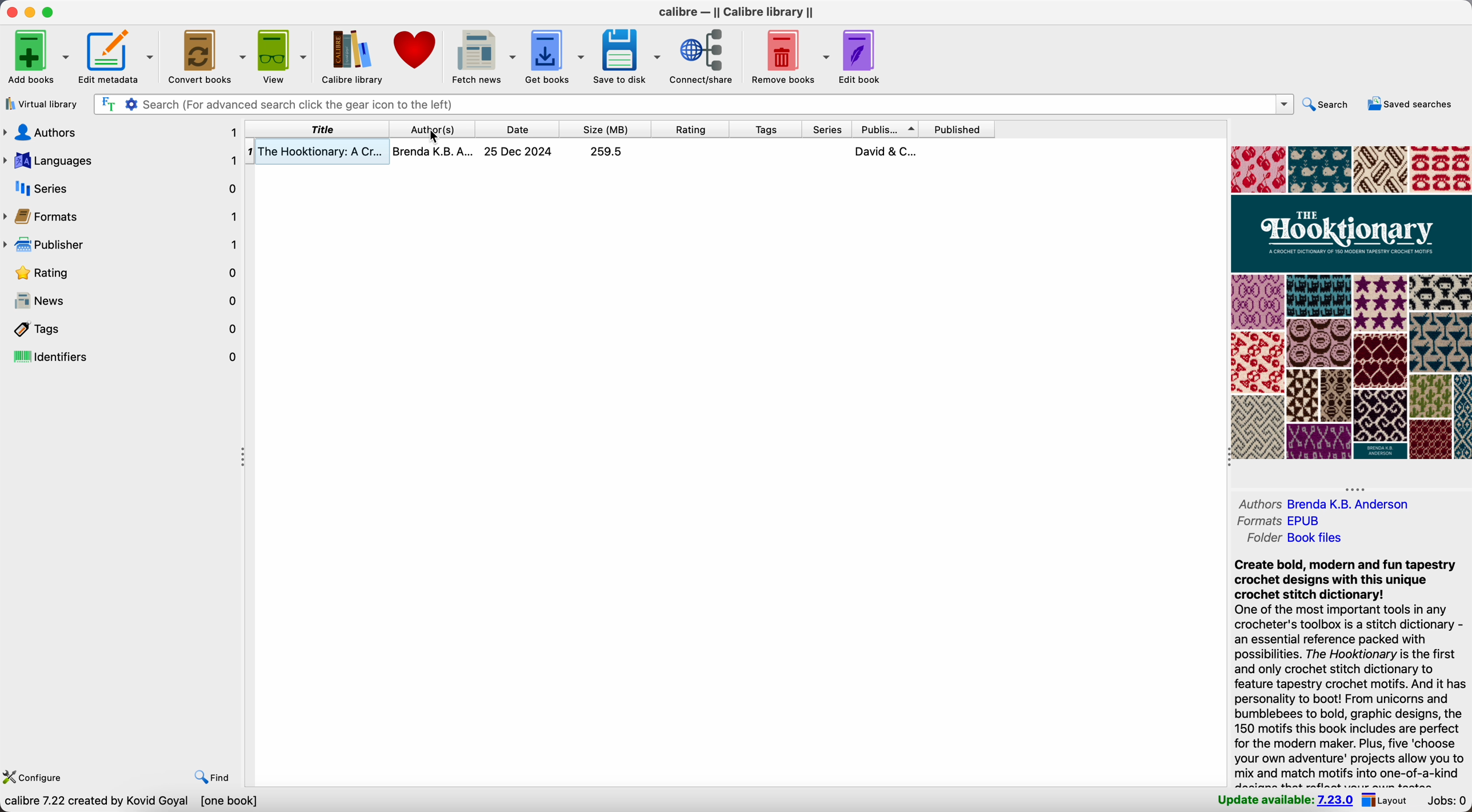  Describe the element at coordinates (606, 129) in the screenshot. I see `size` at that location.